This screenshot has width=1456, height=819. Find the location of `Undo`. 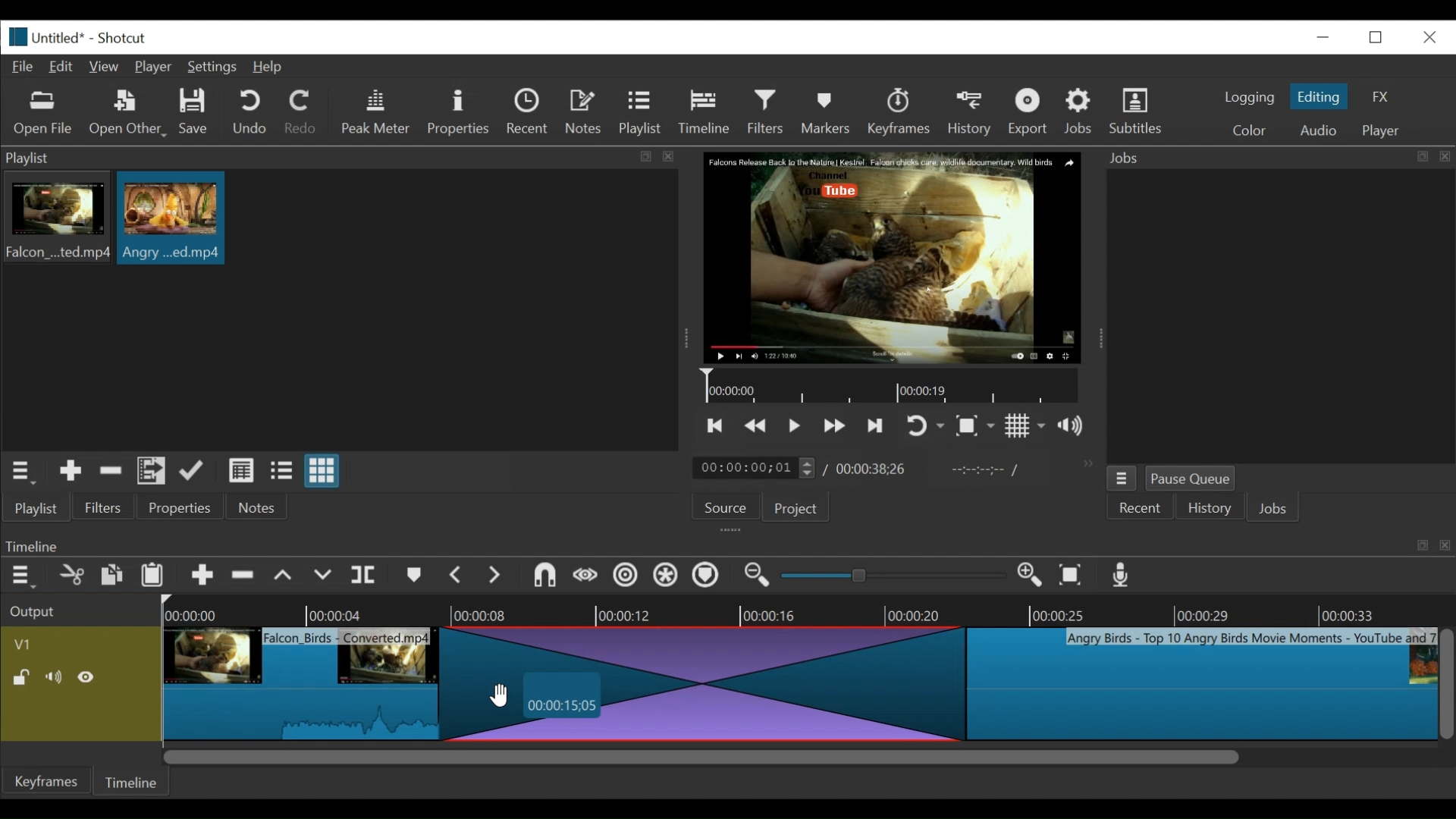

Undo is located at coordinates (252, 113).